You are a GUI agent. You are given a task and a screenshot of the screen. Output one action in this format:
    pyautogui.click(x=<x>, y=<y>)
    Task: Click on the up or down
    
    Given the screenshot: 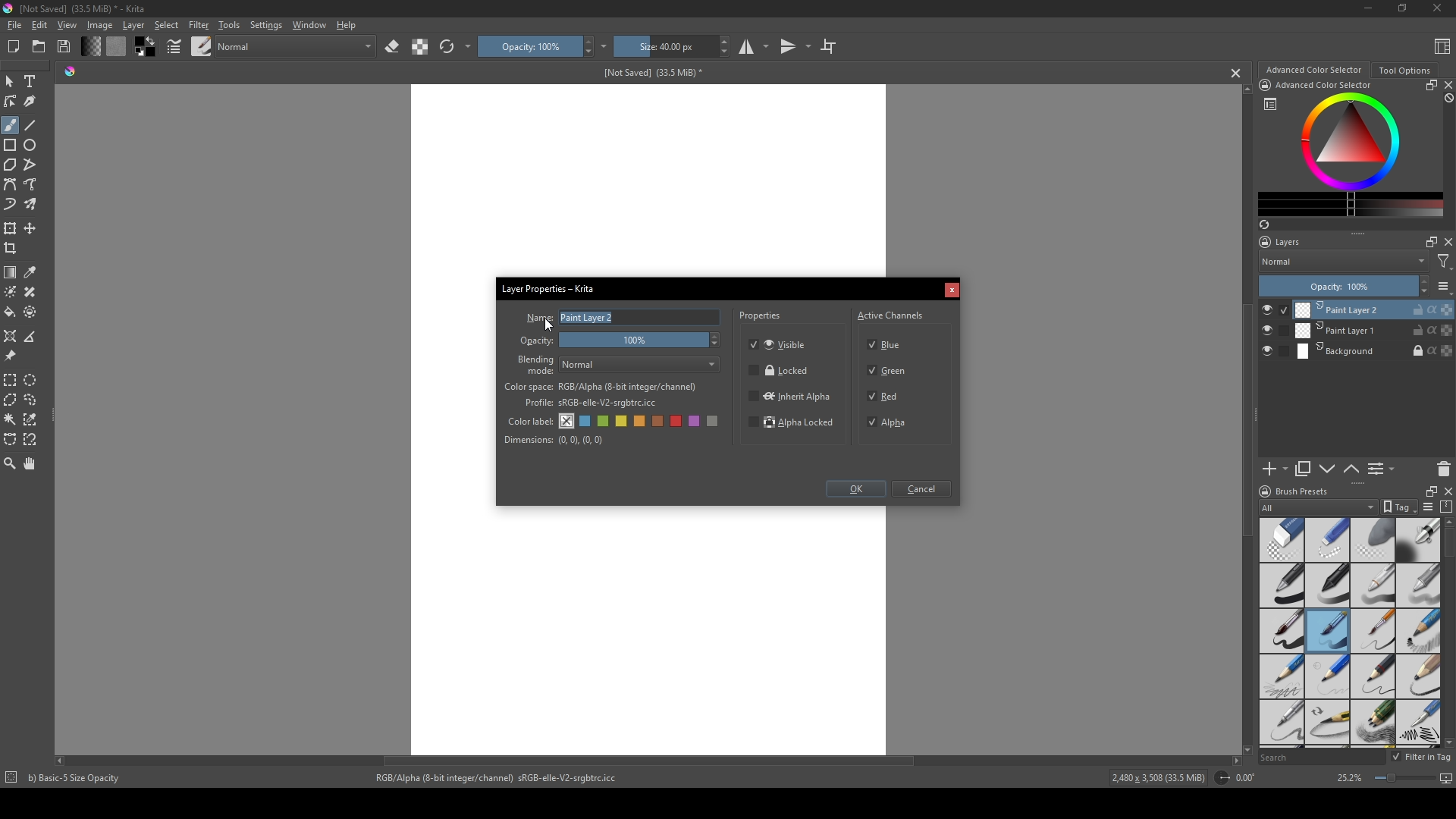 What is the action you would take?
    pyautogui.click(x=1352, y=469)
    